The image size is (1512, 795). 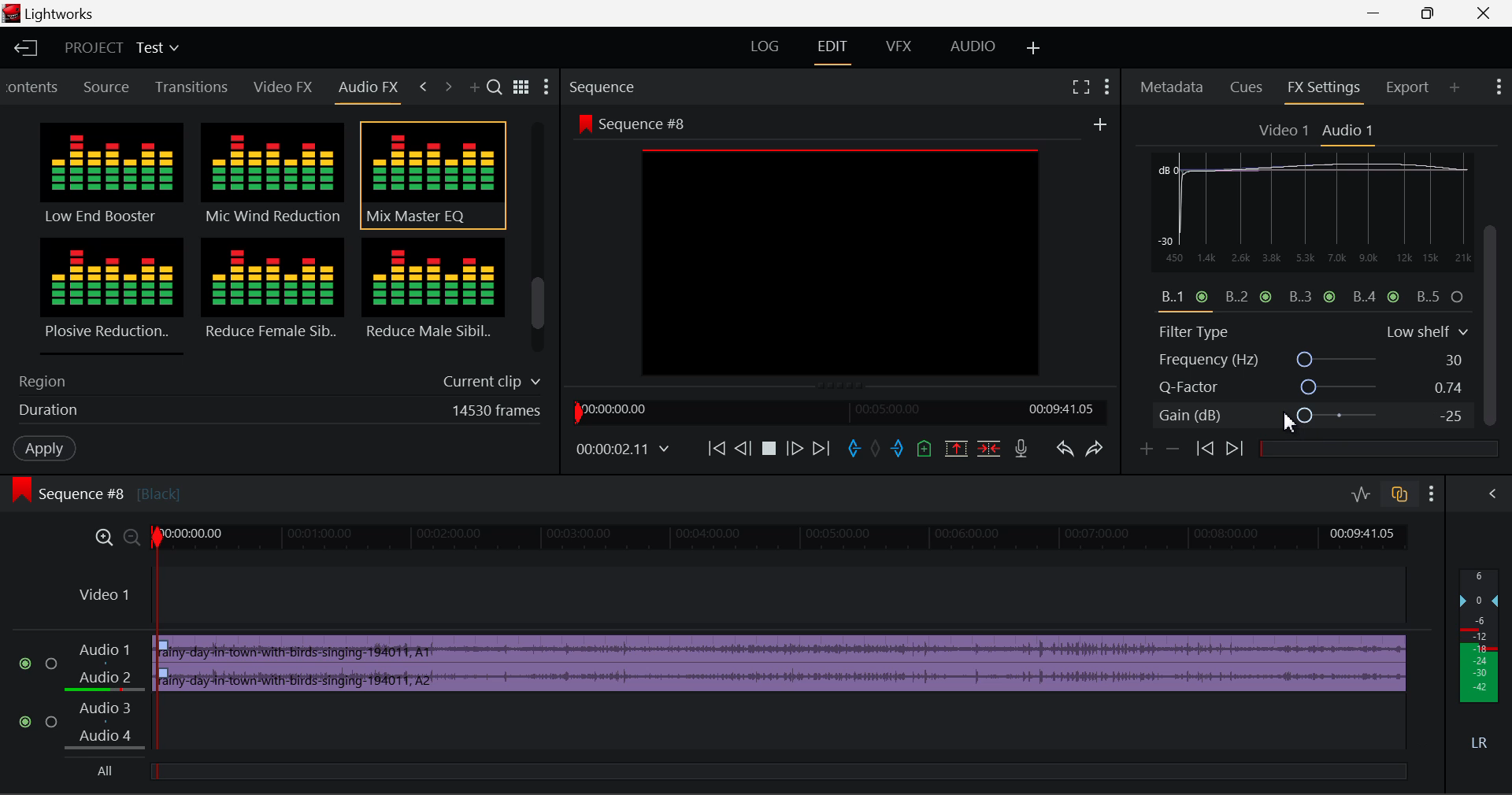 I want to click on Project Timeline, so click(x=783, y=539).